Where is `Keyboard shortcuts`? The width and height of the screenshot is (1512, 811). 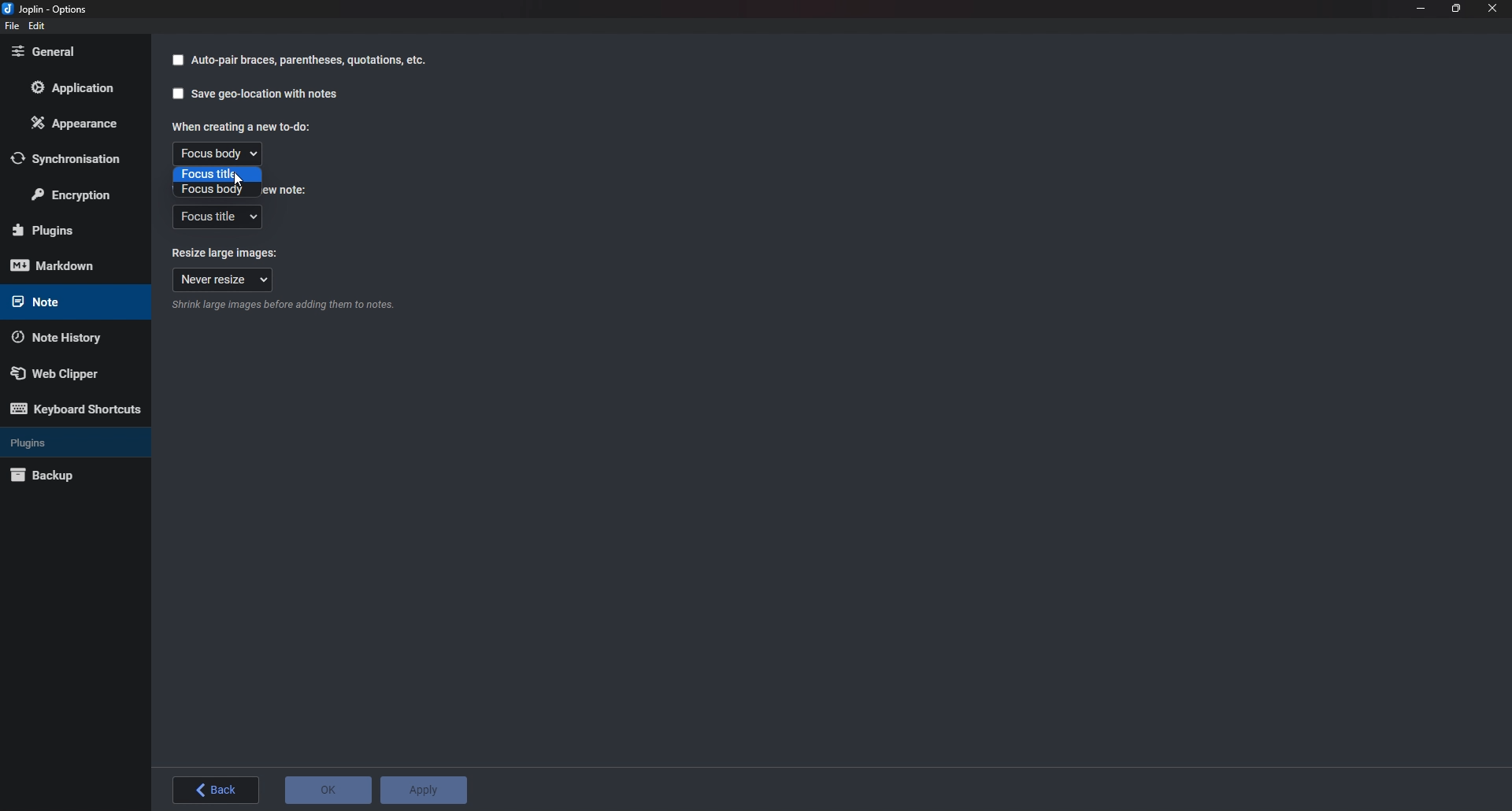
Keyboard shortcuts is located at coordinates (76, 409).